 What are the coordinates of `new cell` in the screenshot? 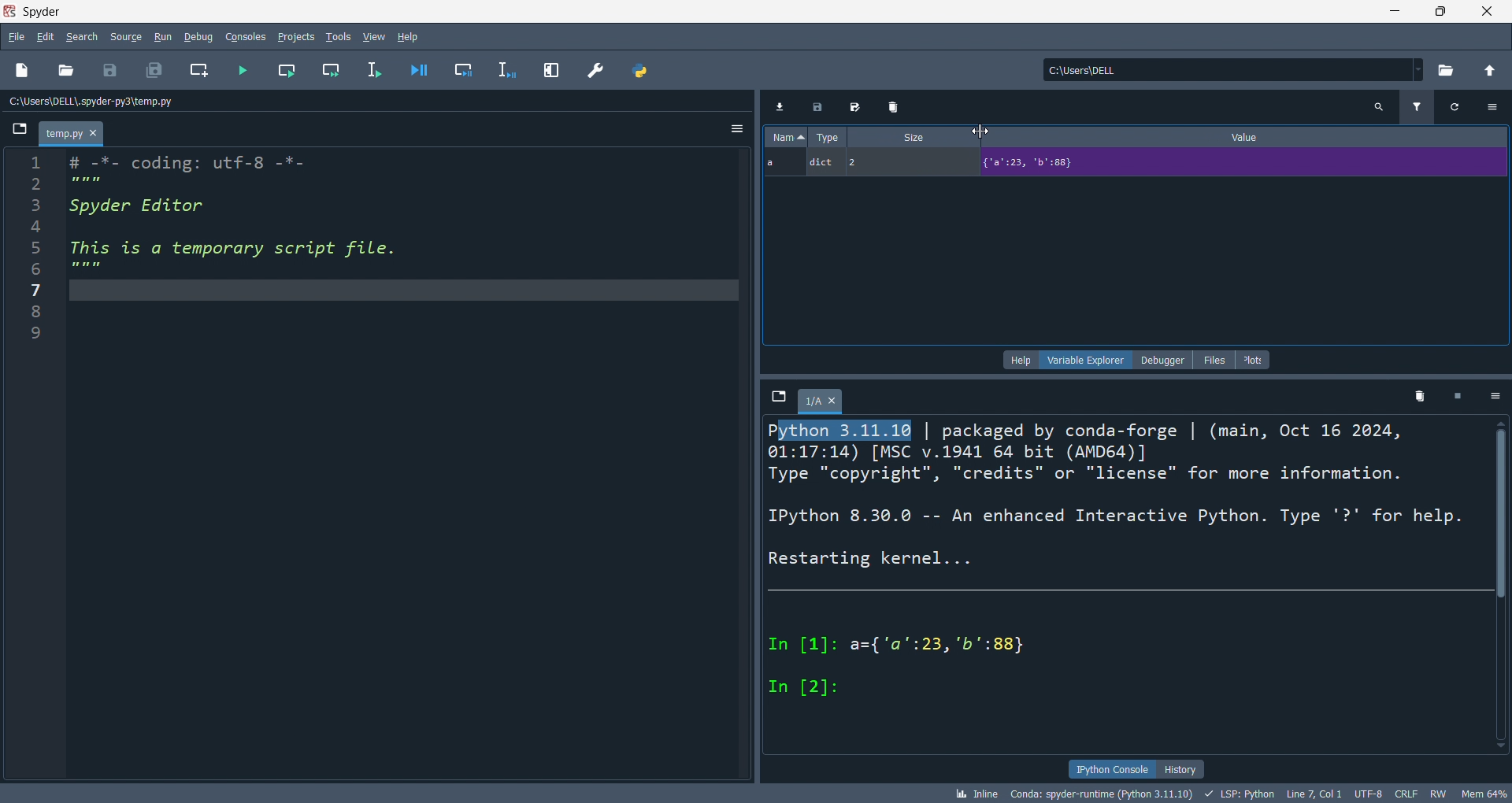 It's located at (196, 69).